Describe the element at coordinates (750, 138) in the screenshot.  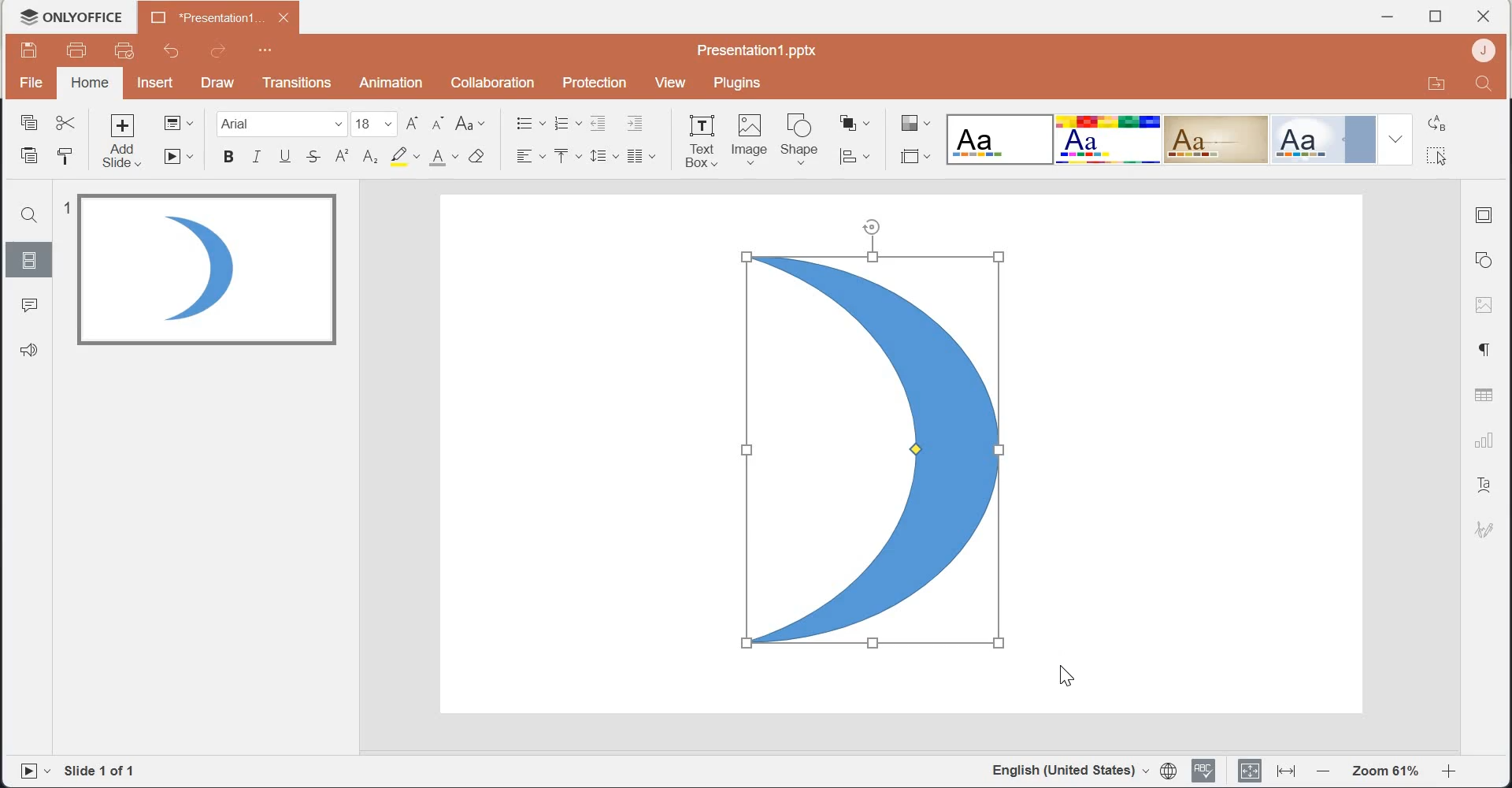
I see `Image` at that location.